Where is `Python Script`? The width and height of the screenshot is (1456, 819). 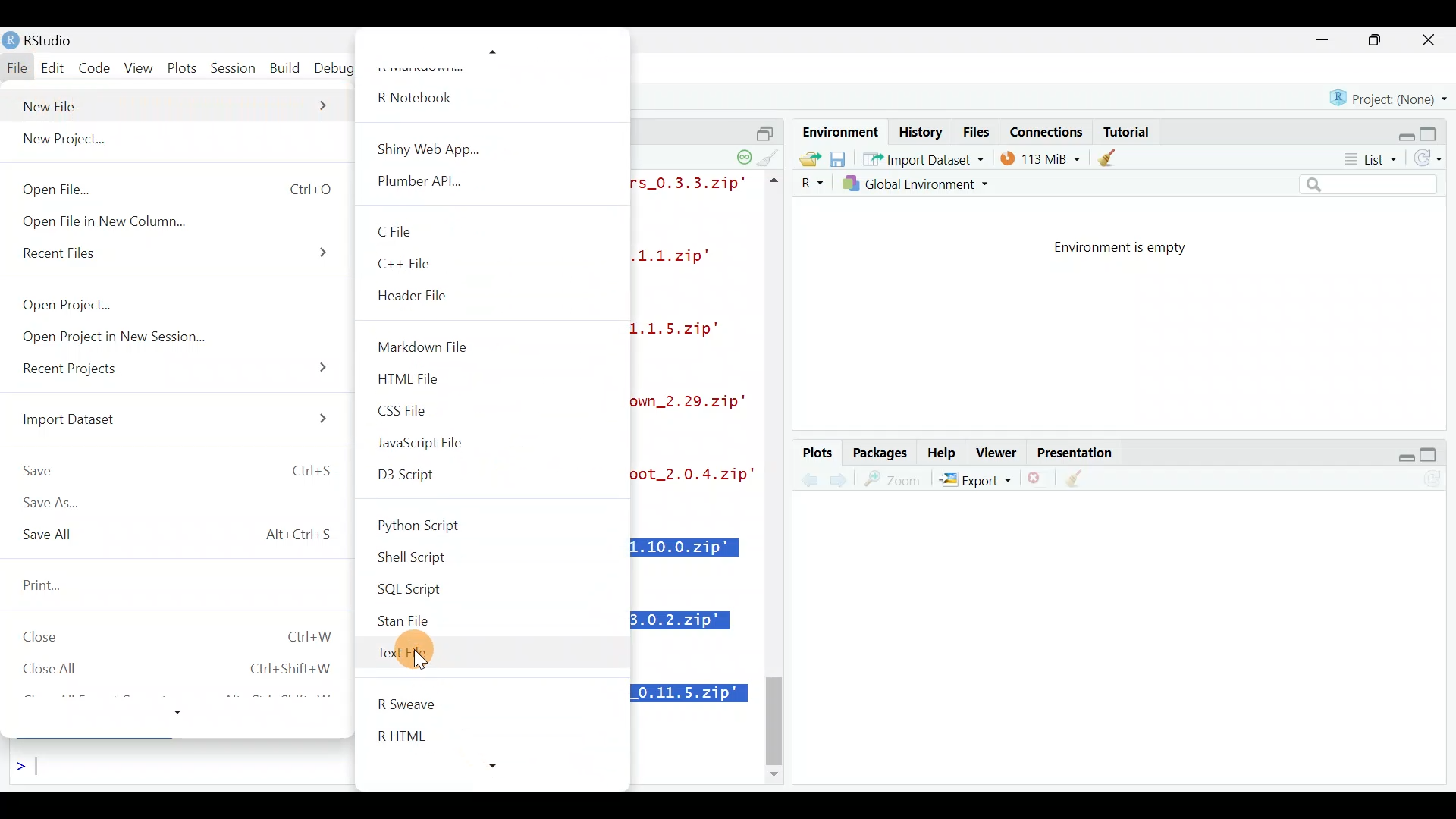 Python Script is located at coordinates (434, 522).